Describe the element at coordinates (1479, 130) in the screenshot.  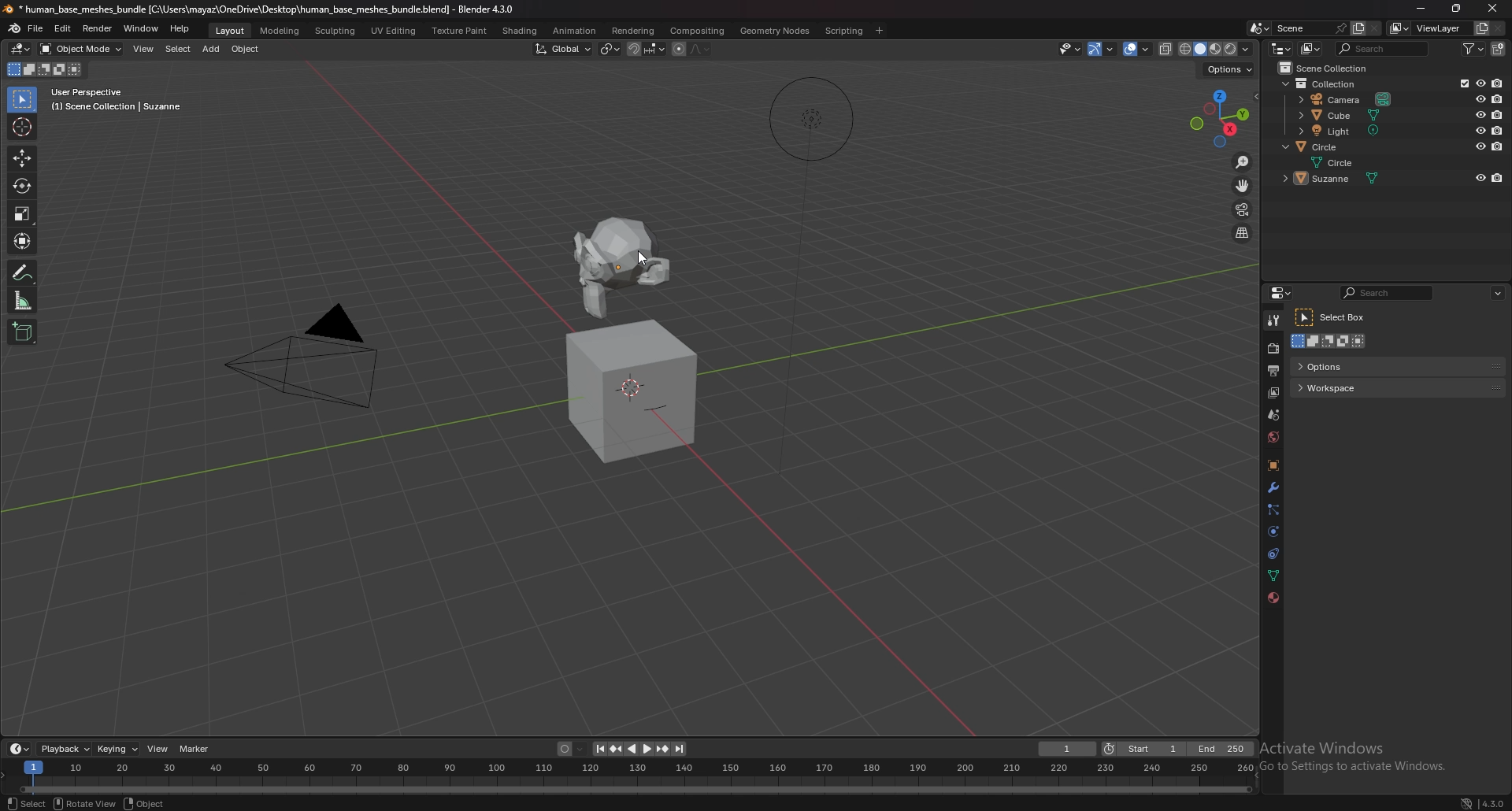
I see `hide in viewport` at that location.